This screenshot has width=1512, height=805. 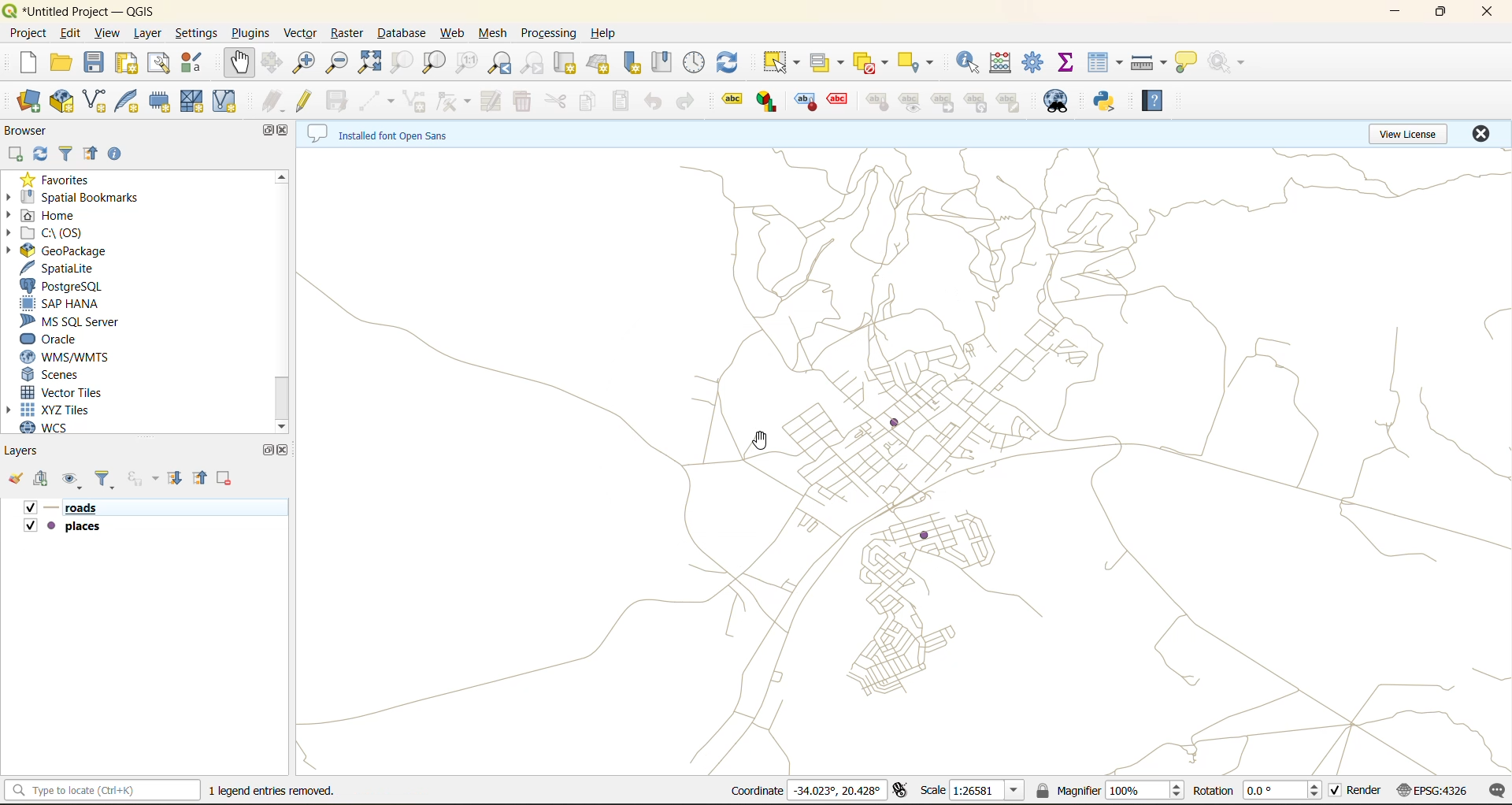 What do you see at coordinates (298, 33) in the screenshot?
I see `vector` at bounding box center [298, 33].